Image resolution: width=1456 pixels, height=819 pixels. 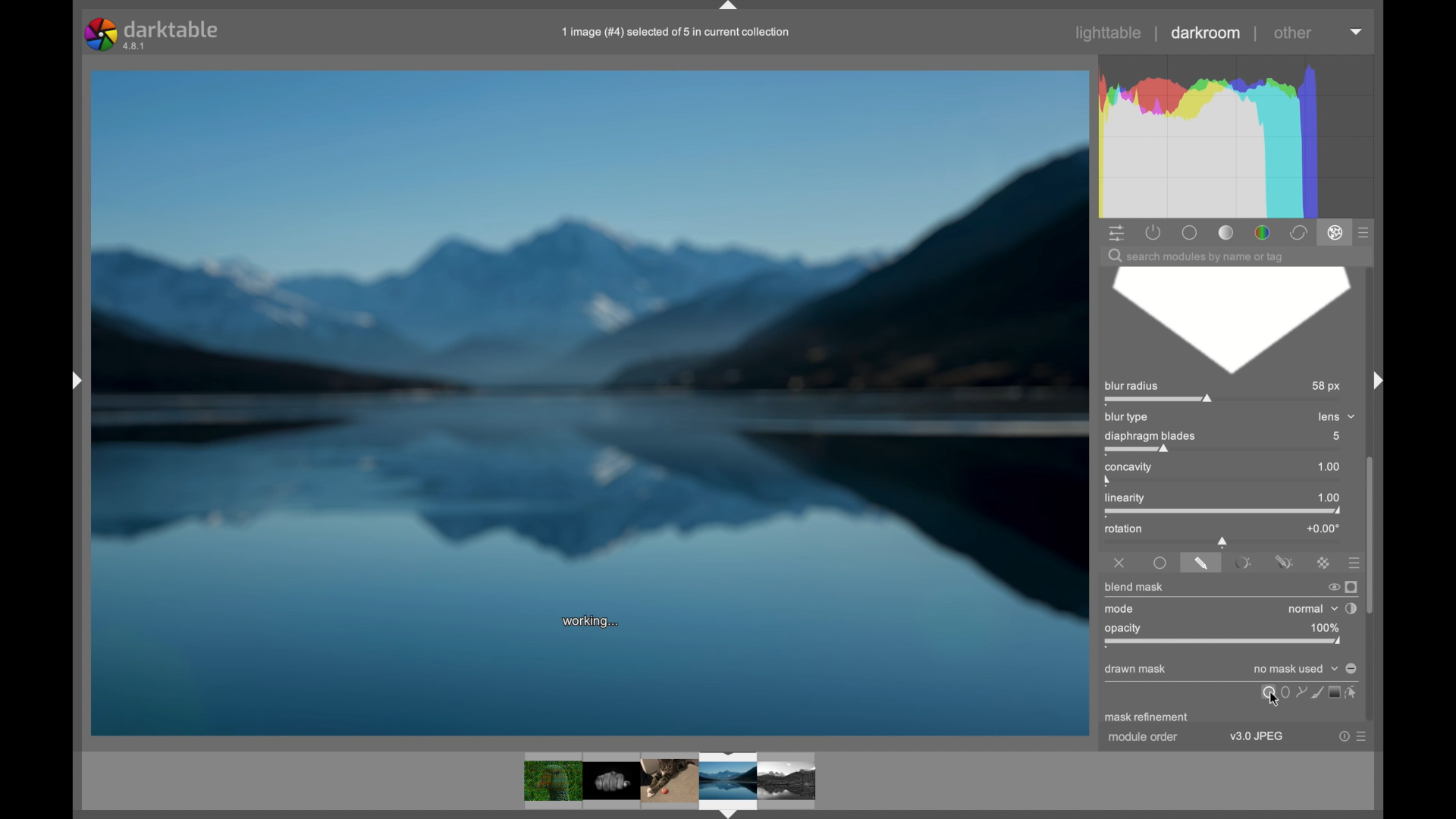 I want to click on tone, so click(x=1225, y=232).